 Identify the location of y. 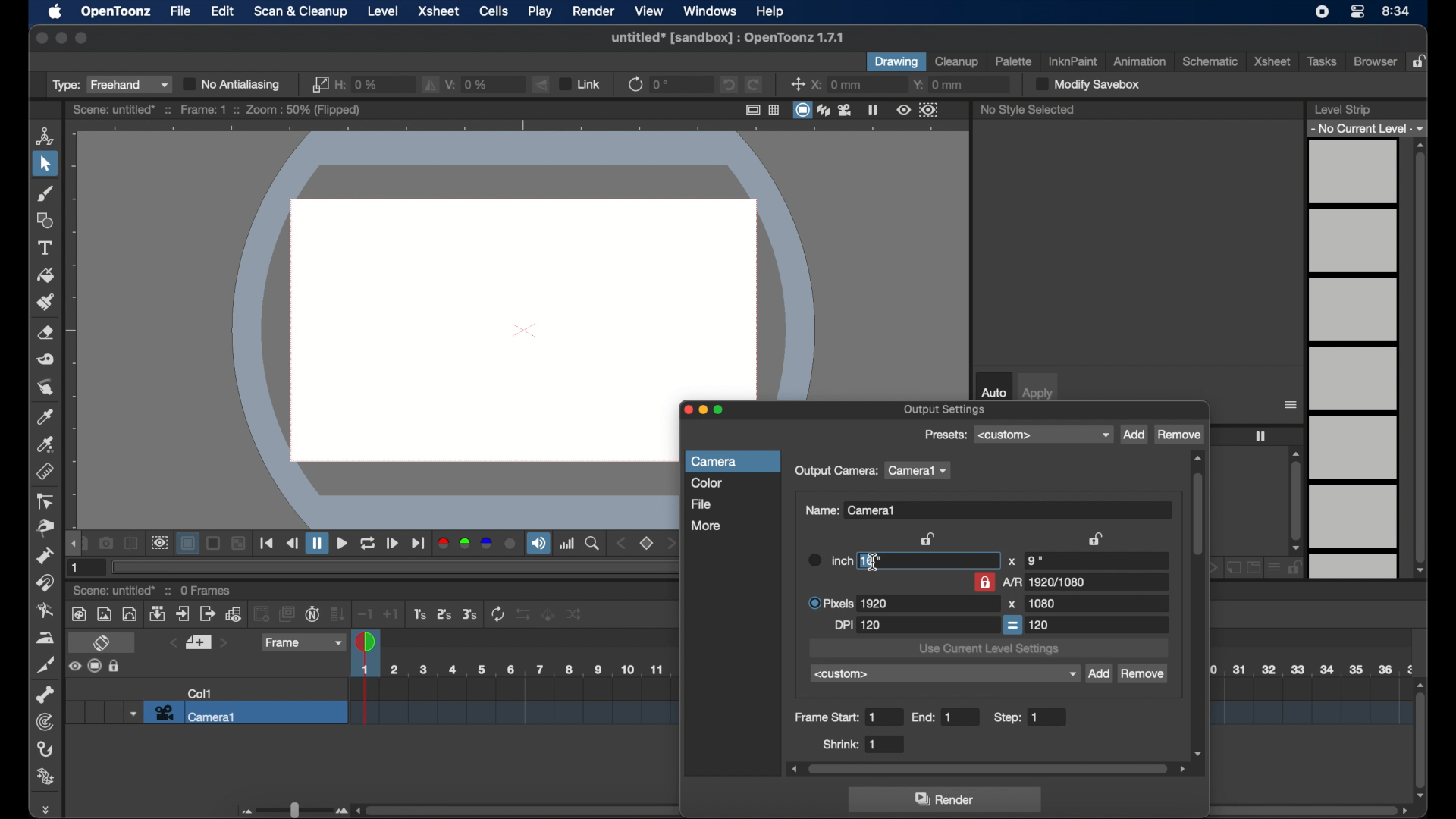
(939, 85).